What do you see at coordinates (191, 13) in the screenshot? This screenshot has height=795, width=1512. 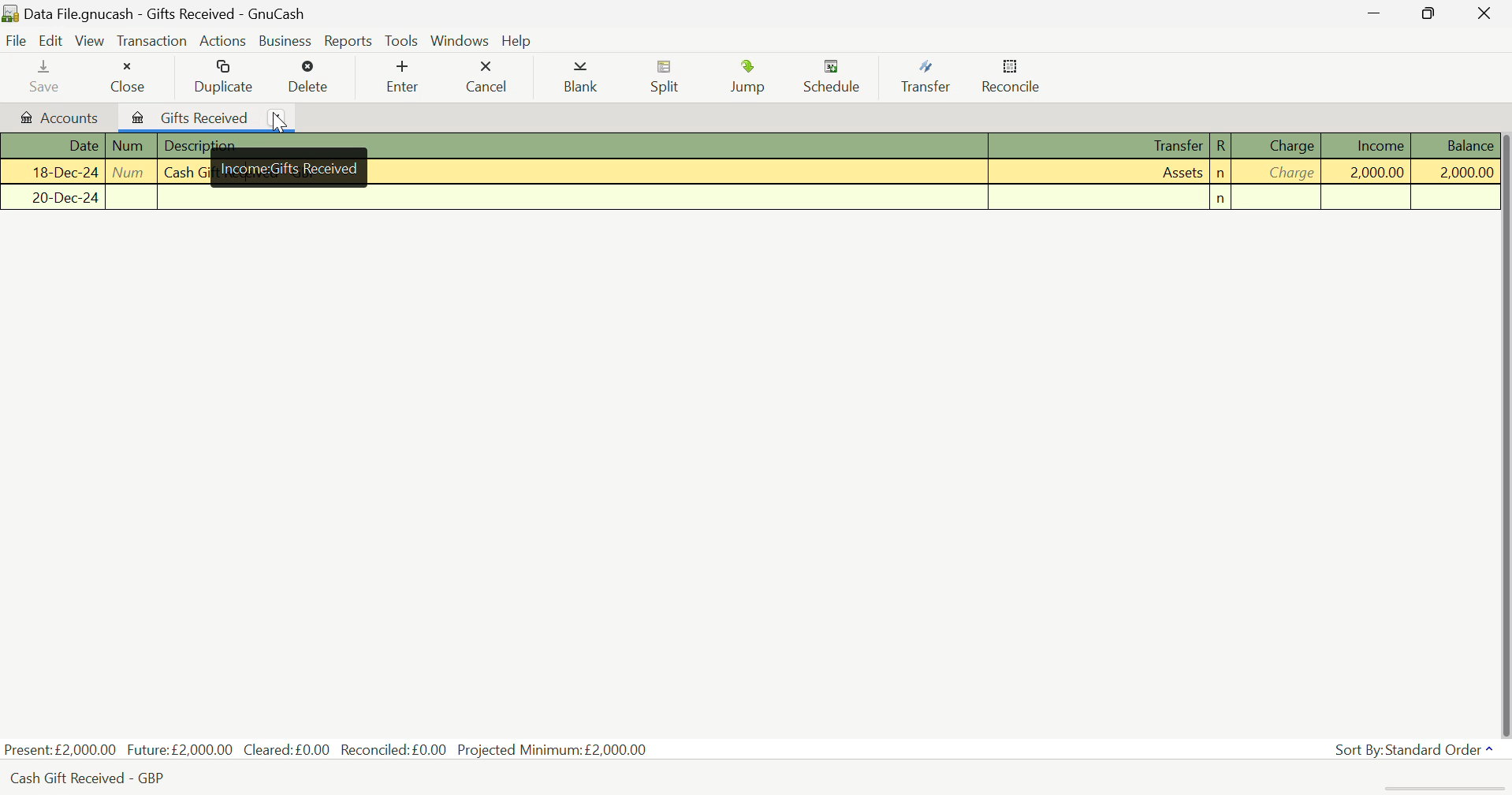 I see `Data File.gnucash - Gifts Received - GnuCash` at bounding box center [191, 13].